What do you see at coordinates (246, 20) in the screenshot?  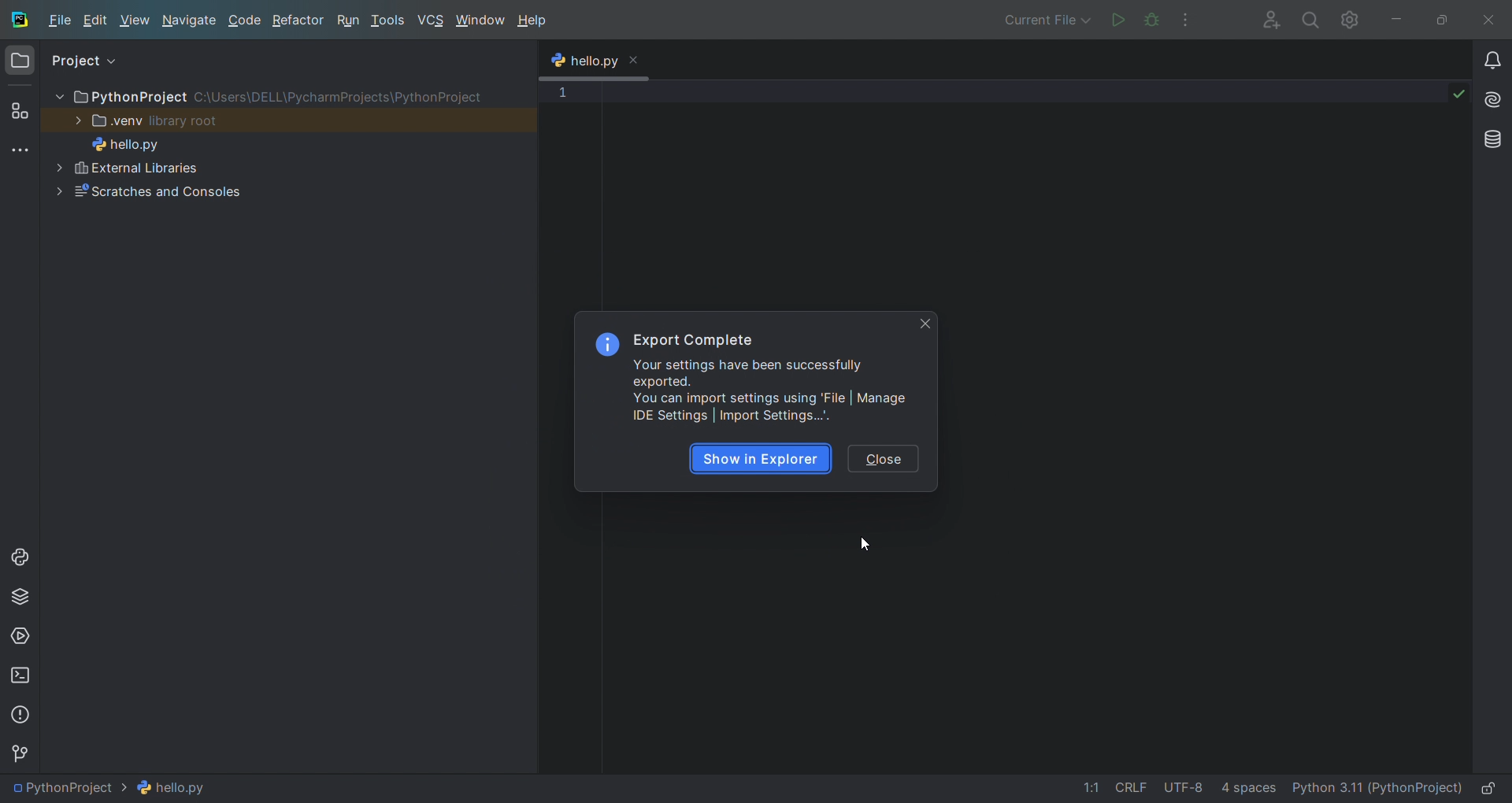 I see `code` at bounding box center [246, 20].